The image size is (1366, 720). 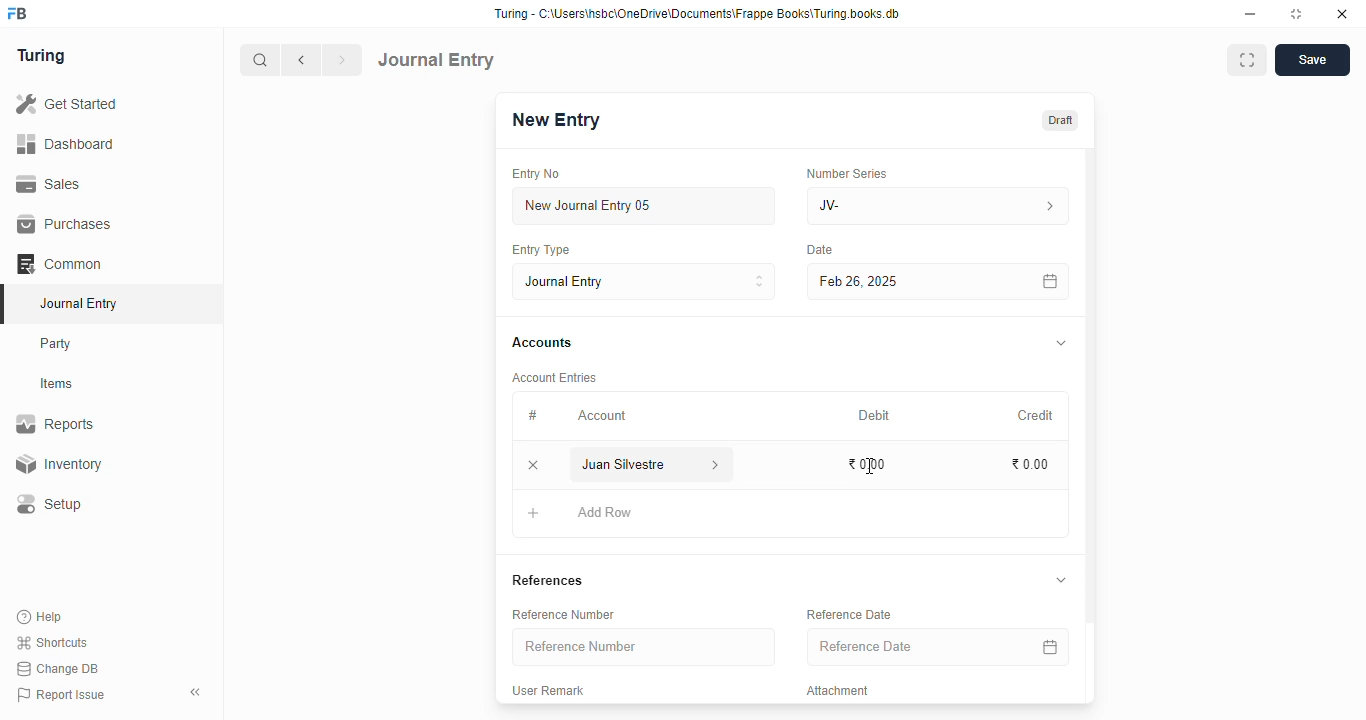 I want to click on user remark, so click(x=548, y=691).